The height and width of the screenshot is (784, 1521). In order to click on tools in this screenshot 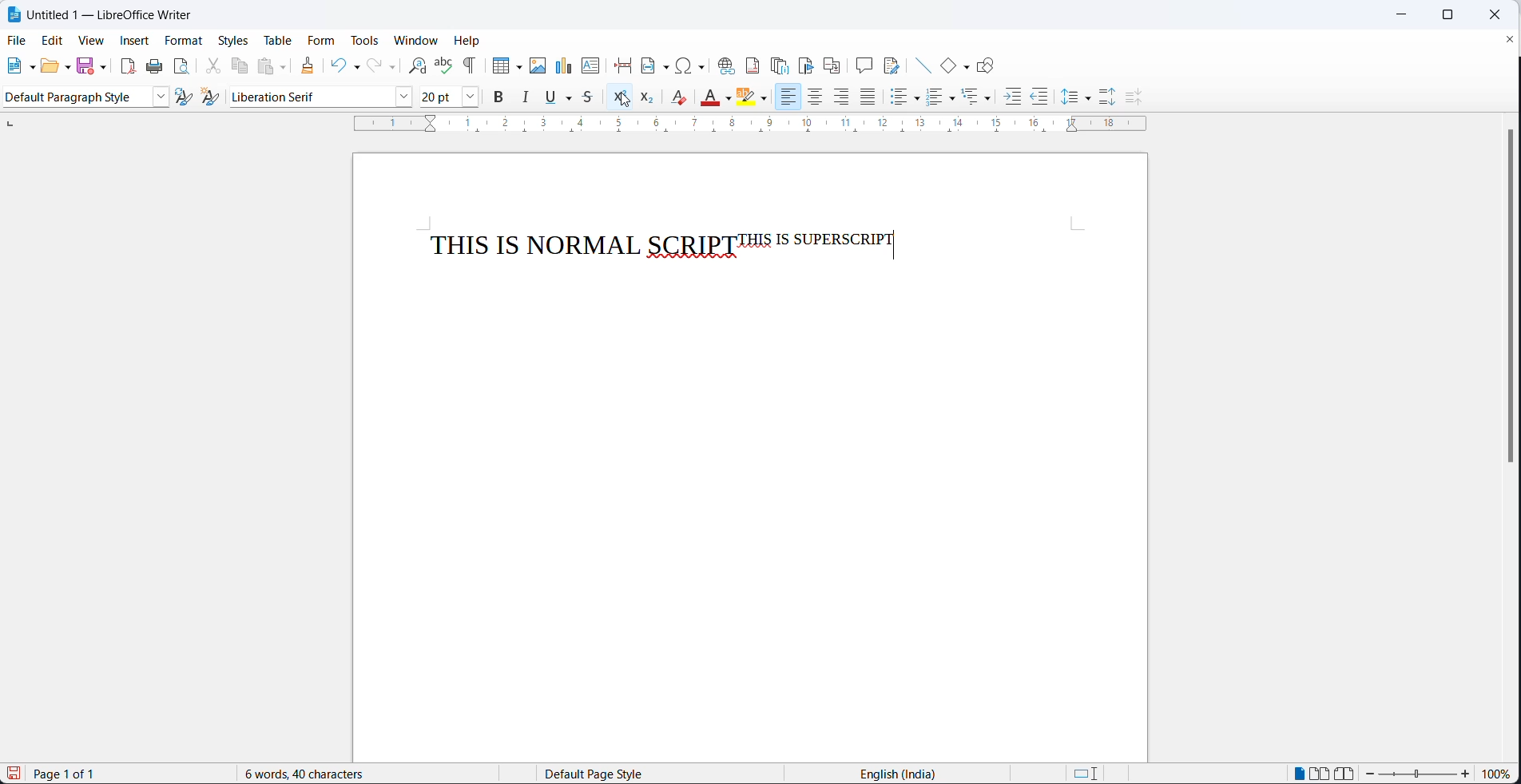, I will do `click(364, 42)`.